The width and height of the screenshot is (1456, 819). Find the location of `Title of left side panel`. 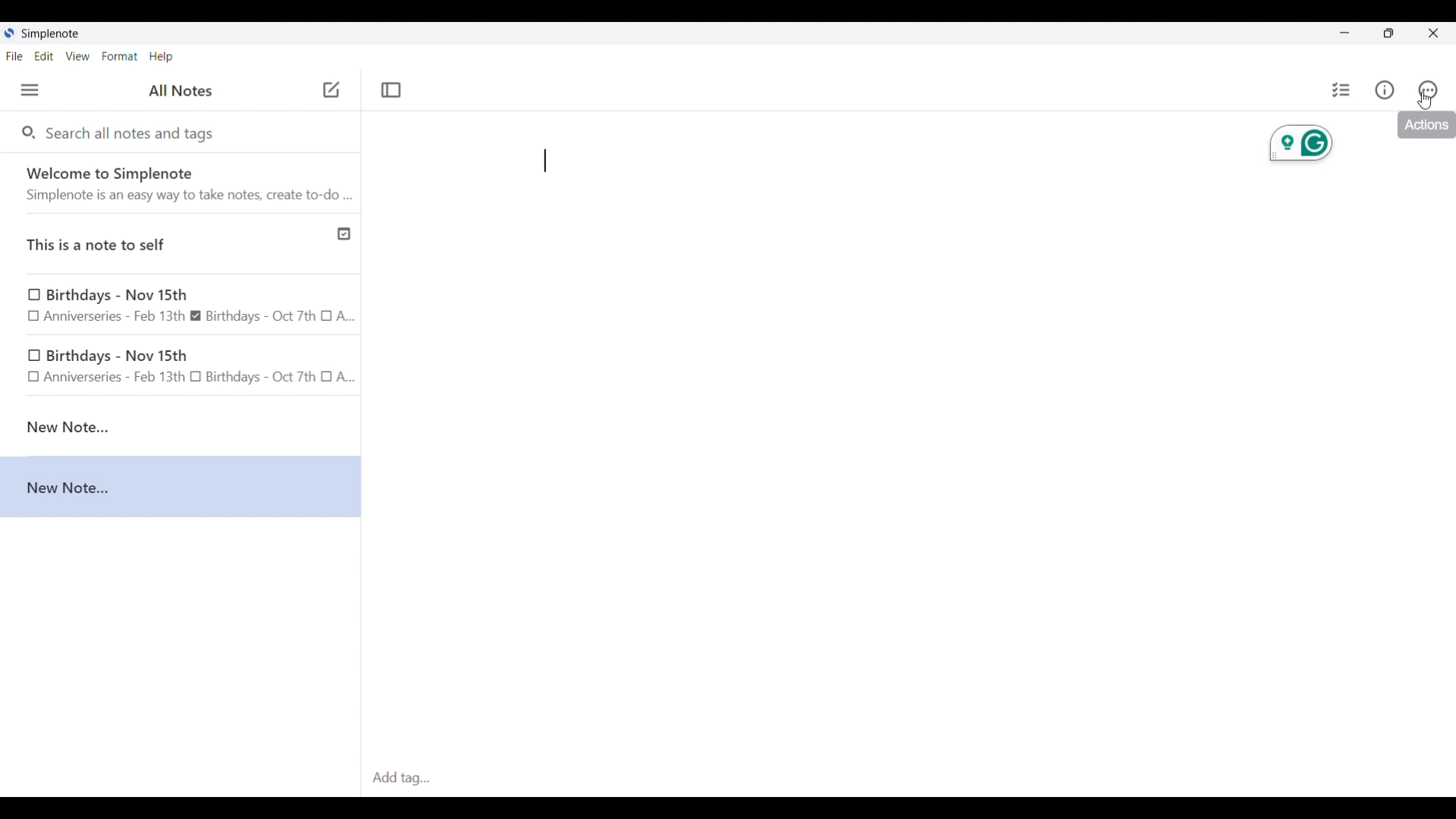

Title of left side panel is located at coordinates (180, 91).